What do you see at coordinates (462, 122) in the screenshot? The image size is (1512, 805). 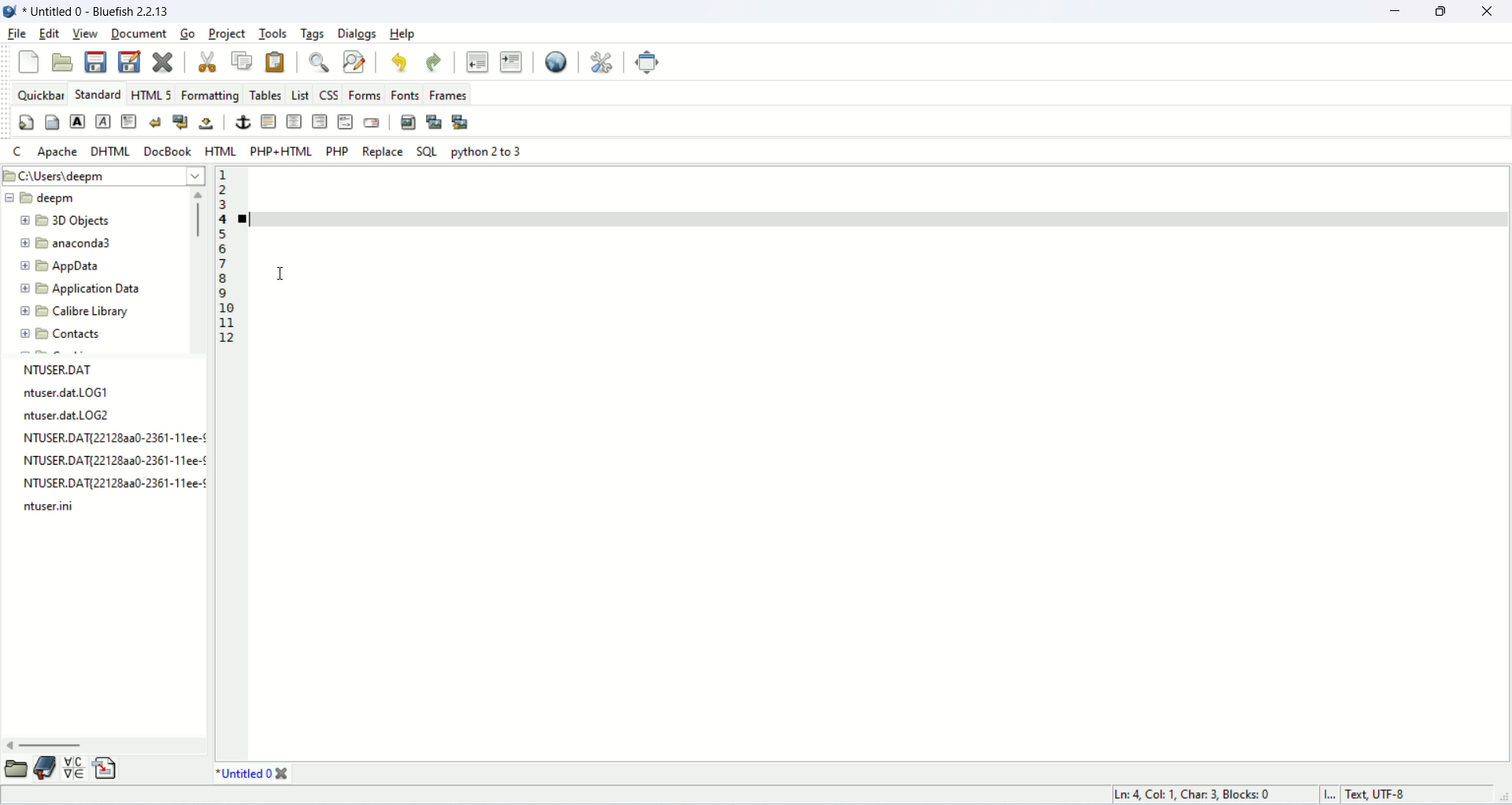 I see `multi thumbnail` at bounding box center [462, 122].